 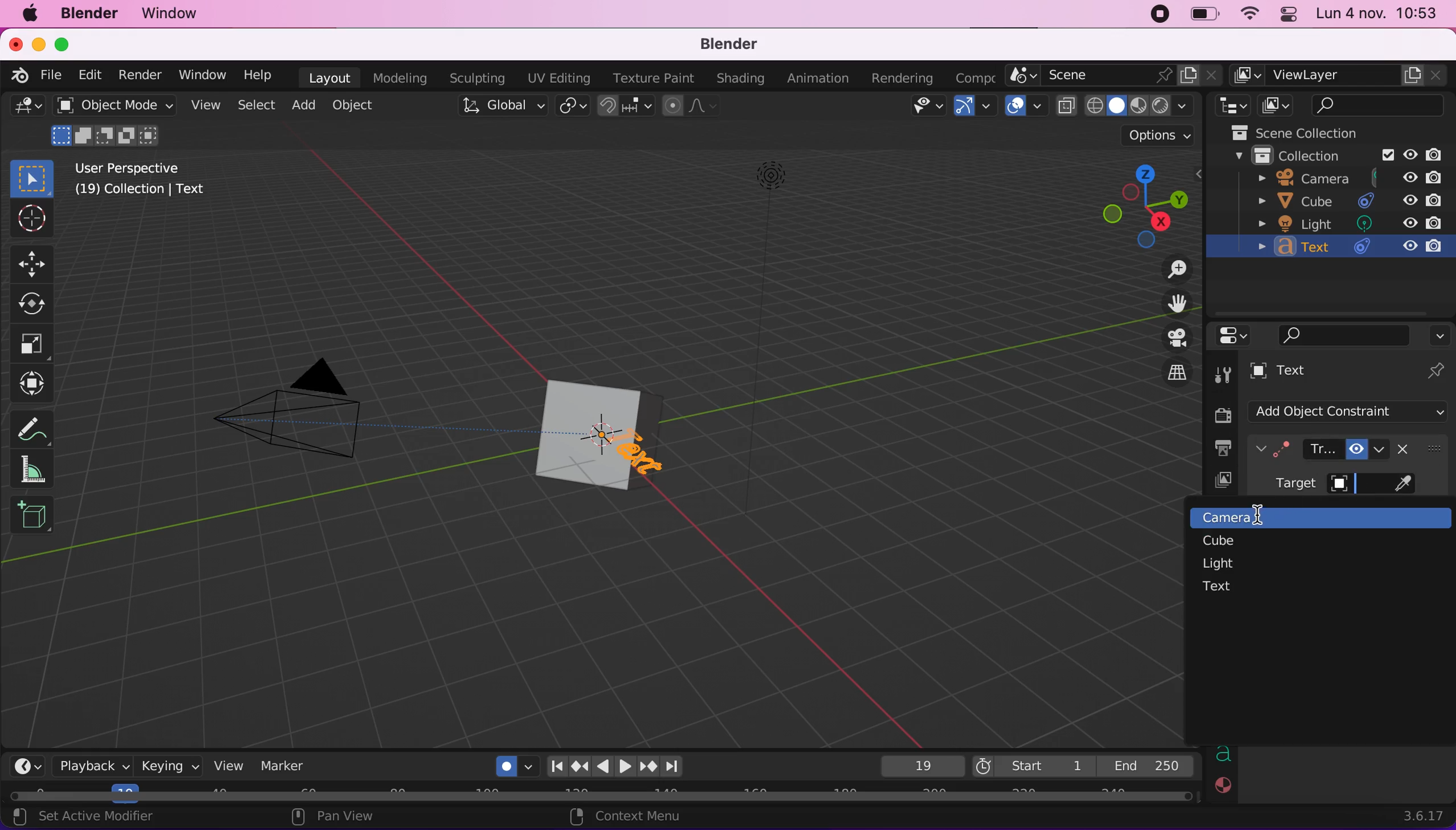 What do you see at coordinates (24, 108) in the screenshot?
I see `editor type` at bounding box center [24, 108].